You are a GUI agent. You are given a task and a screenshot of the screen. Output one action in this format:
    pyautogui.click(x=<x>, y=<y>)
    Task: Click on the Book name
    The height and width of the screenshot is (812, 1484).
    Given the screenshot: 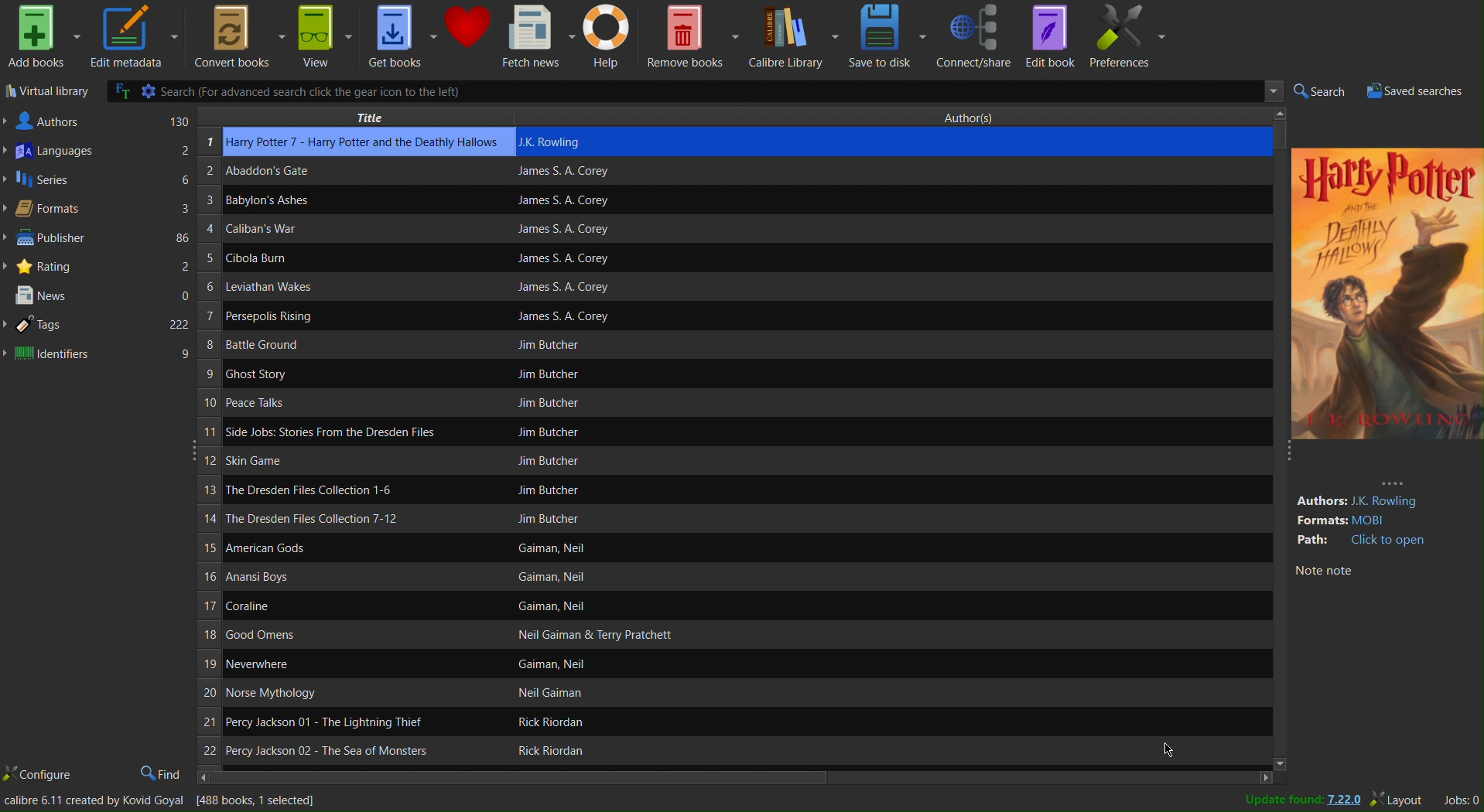 What is the action you would take?
    pyautogui.click(x=344, y=173)
    